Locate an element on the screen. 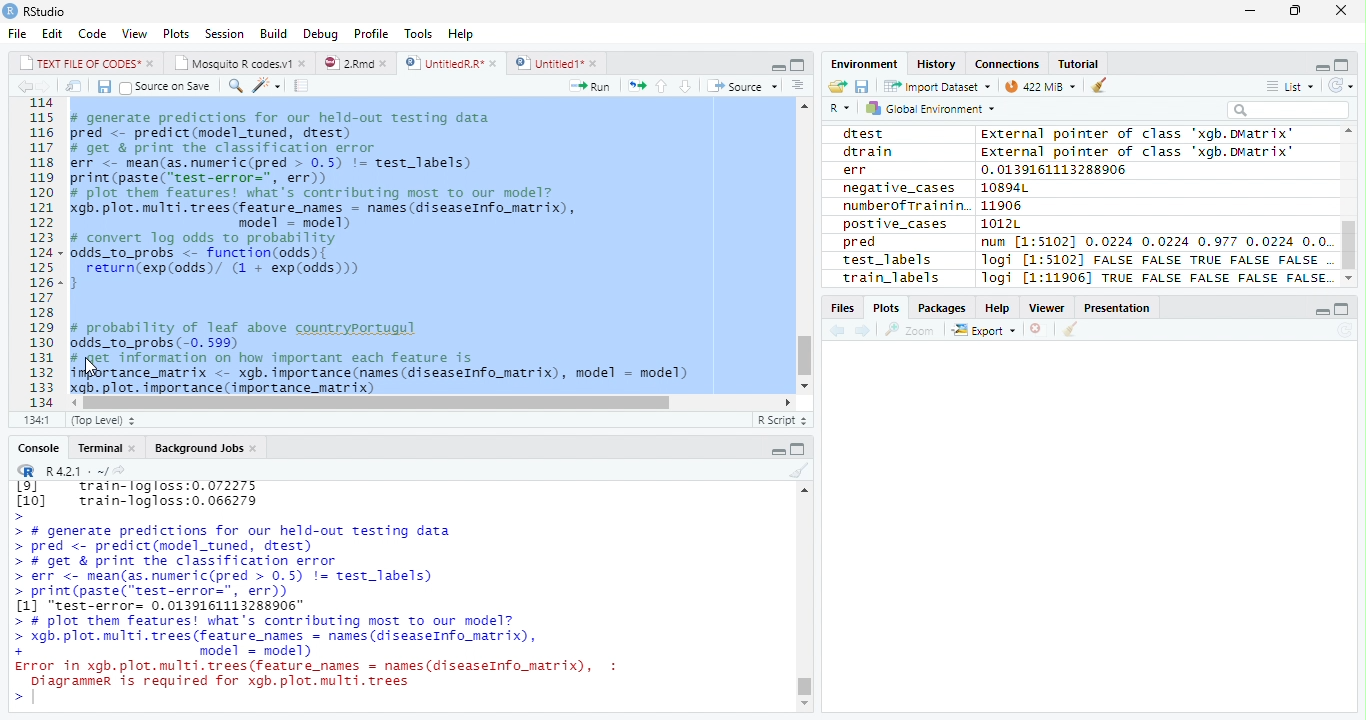 The height and width of the screenshot is (720, 1366). Mosquito R codes1 is located at coordinates (241, 63).